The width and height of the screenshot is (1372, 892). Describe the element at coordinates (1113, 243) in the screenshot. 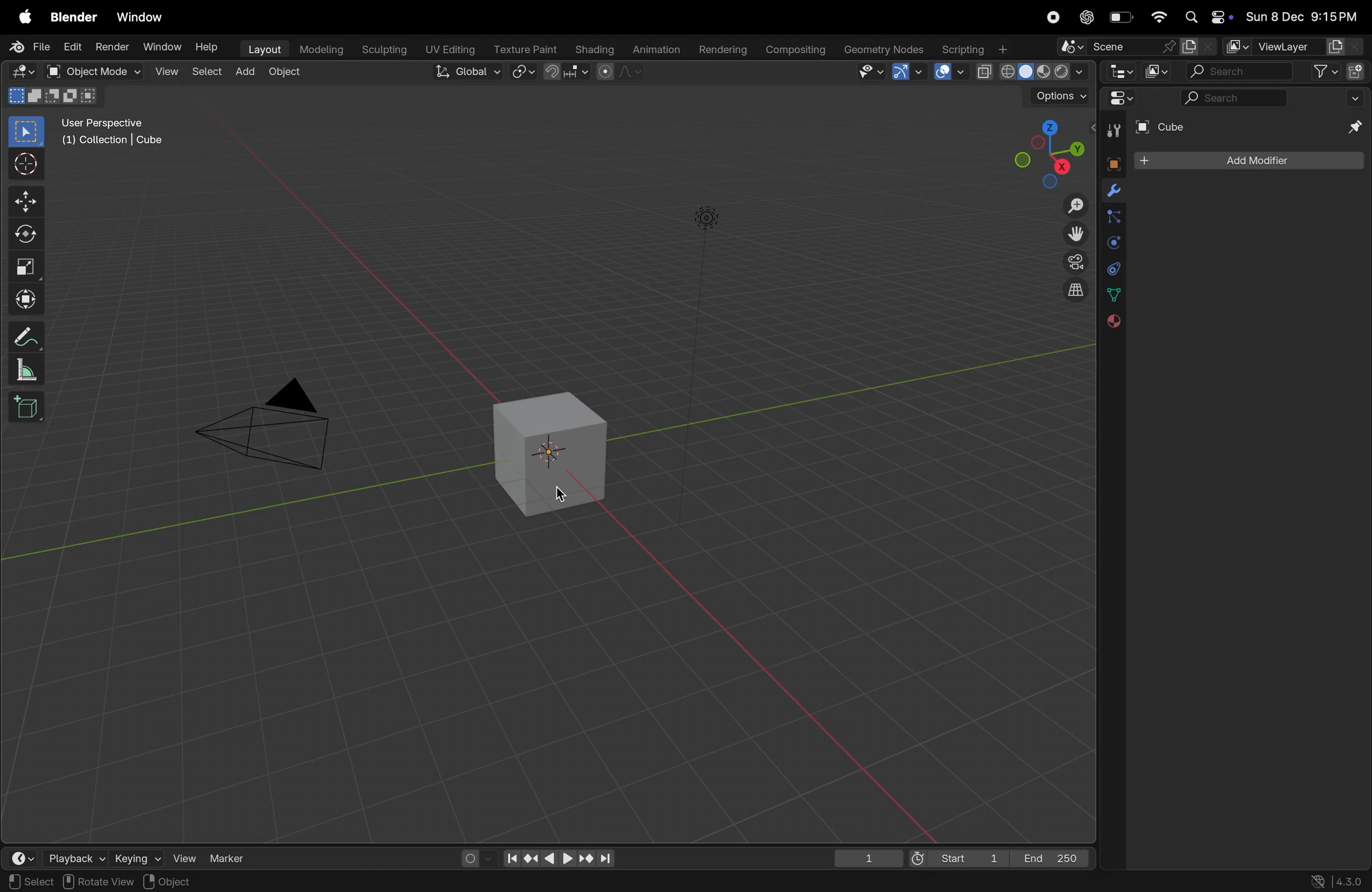

I see `physics` at that location.